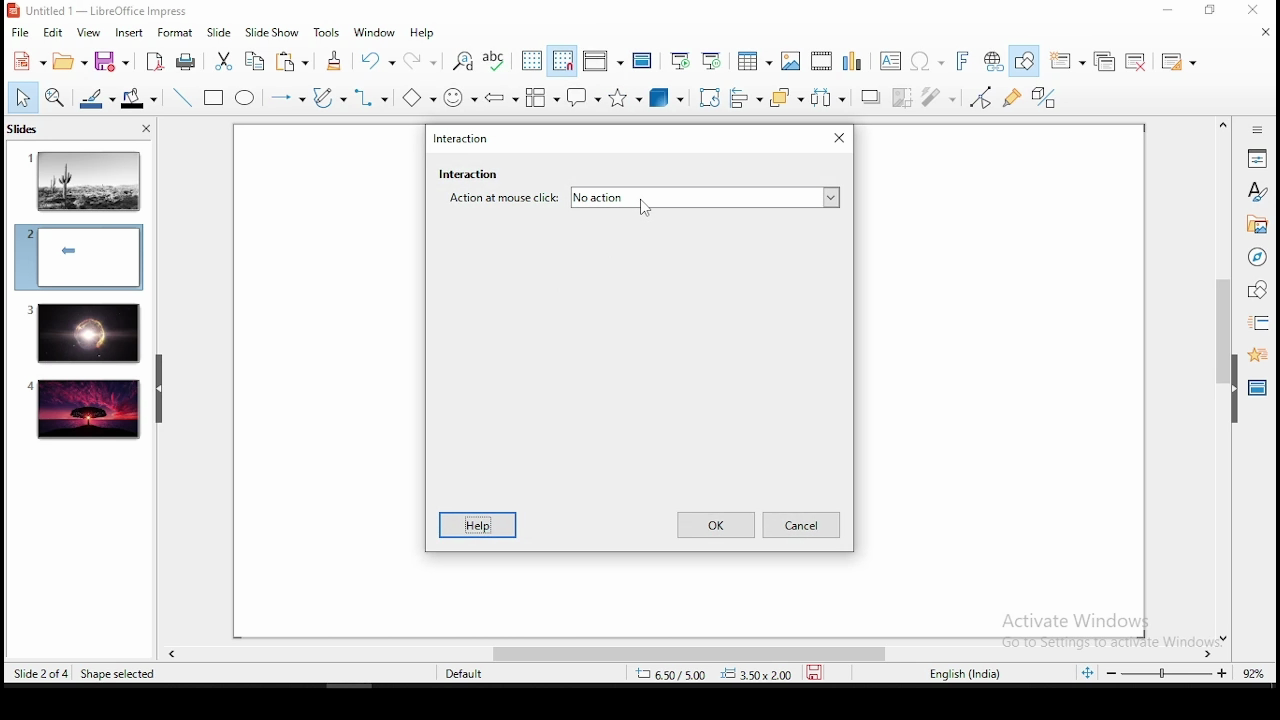 This screenshot has width=1280, height=720. I want to click on Close, so click(839, 139).